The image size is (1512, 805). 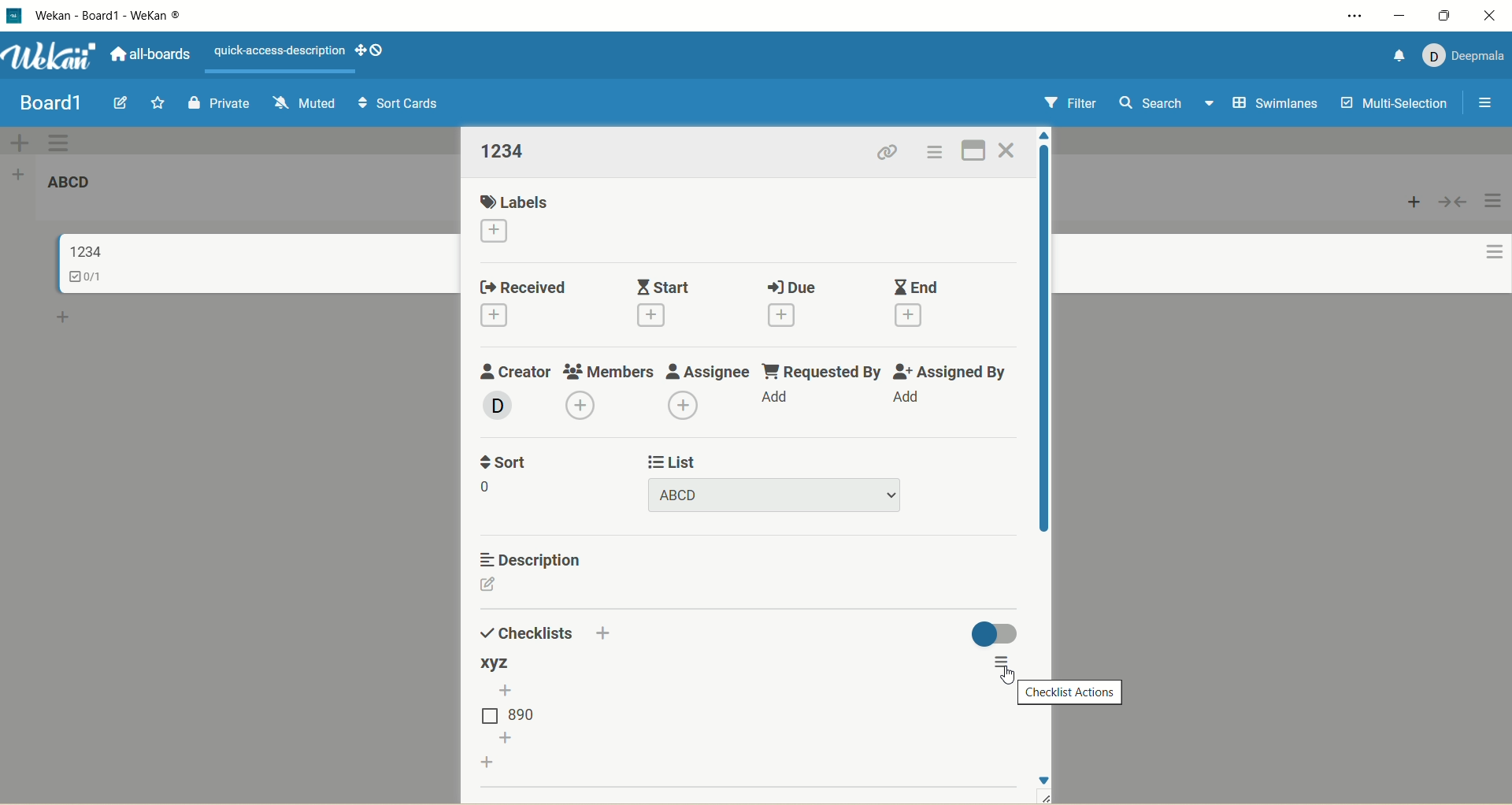 What do you see at coordinates (1064, 103) in the screenshot?
I see `filter` at bounding box center [1064, 103].